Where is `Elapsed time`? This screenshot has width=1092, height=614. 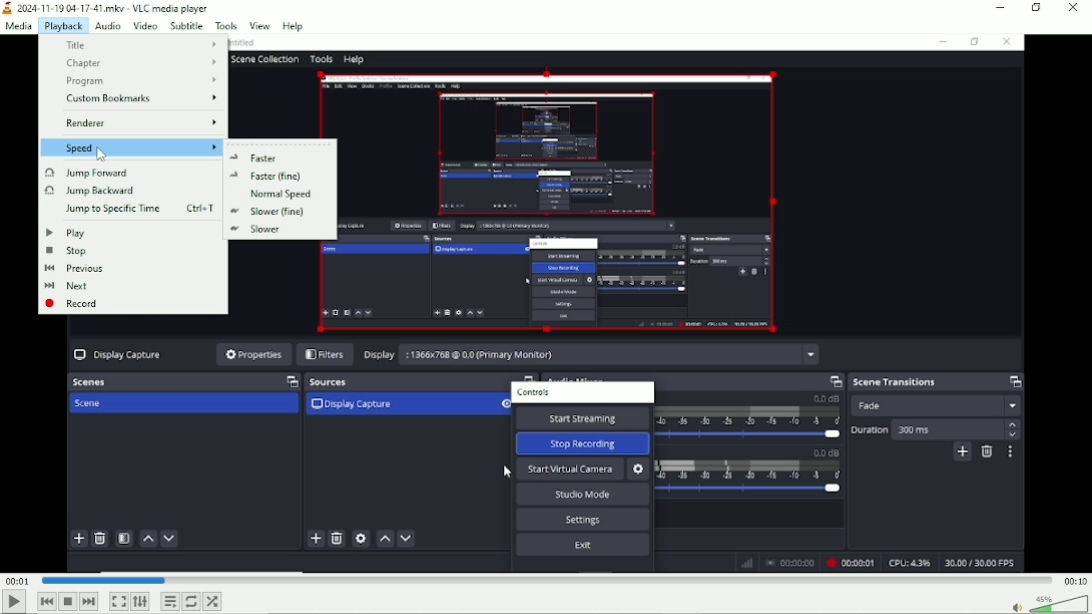
Elapsed time is located at coordinates (15, 579).